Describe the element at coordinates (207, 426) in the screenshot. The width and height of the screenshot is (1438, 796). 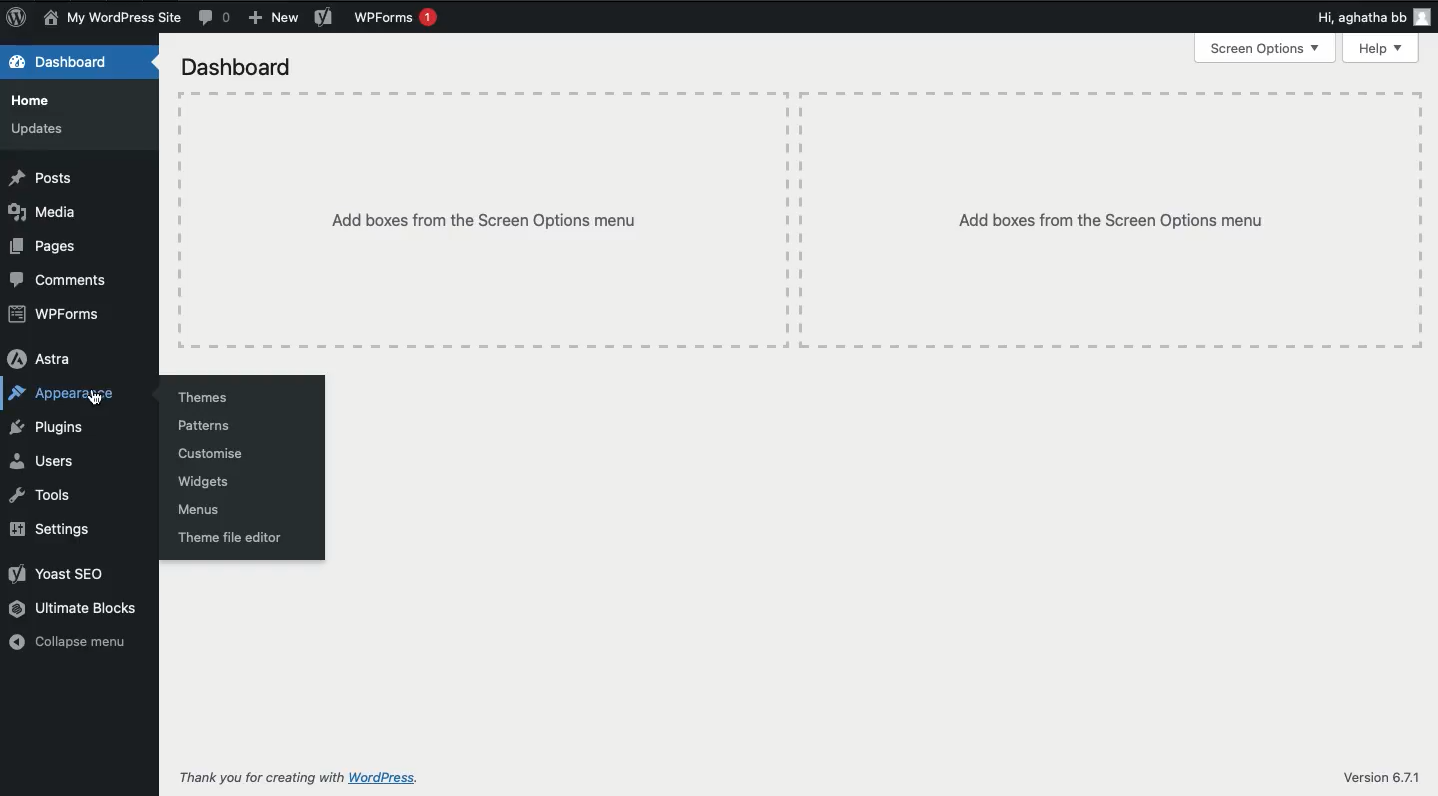
I see `Patterns` at that location.